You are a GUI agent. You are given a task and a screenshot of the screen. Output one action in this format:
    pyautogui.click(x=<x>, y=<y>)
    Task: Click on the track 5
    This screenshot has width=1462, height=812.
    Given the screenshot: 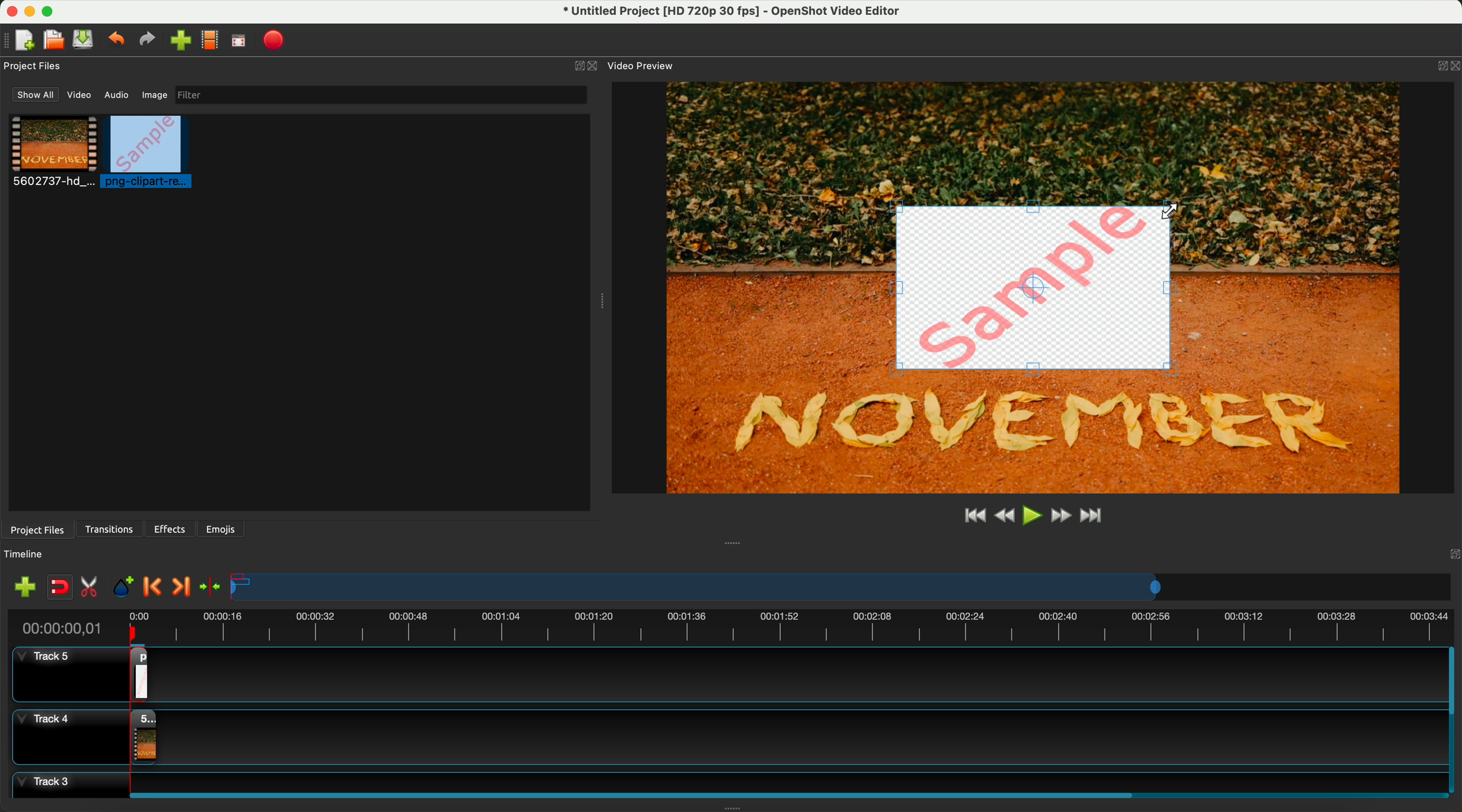 What is the action you would take?
    pyautogui.click(x=60, y=675)
    